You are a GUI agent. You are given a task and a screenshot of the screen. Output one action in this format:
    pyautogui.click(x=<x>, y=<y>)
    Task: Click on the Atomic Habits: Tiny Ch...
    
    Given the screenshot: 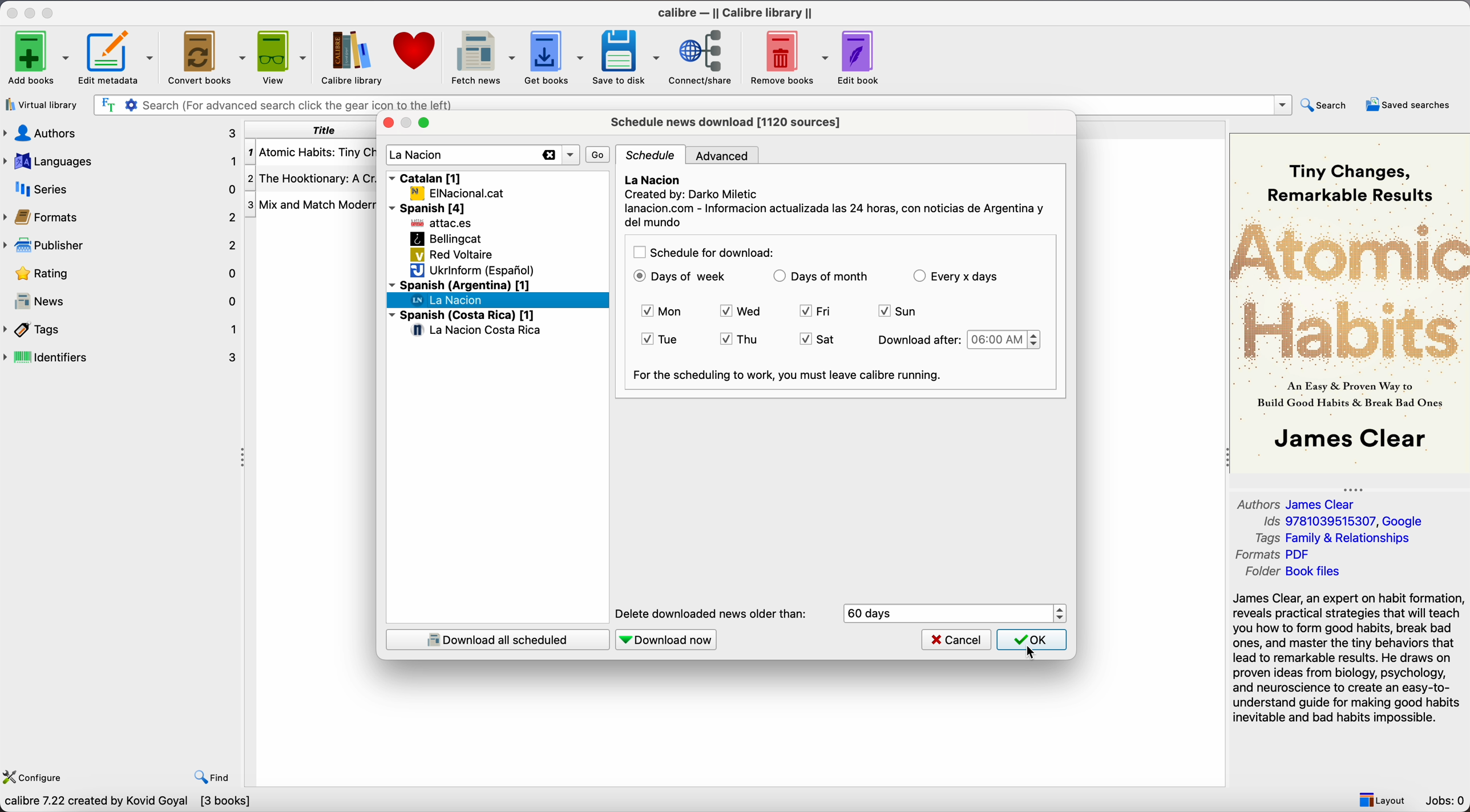 What is the action you would take?
    pyautogui.click(x=312, y=153)
    